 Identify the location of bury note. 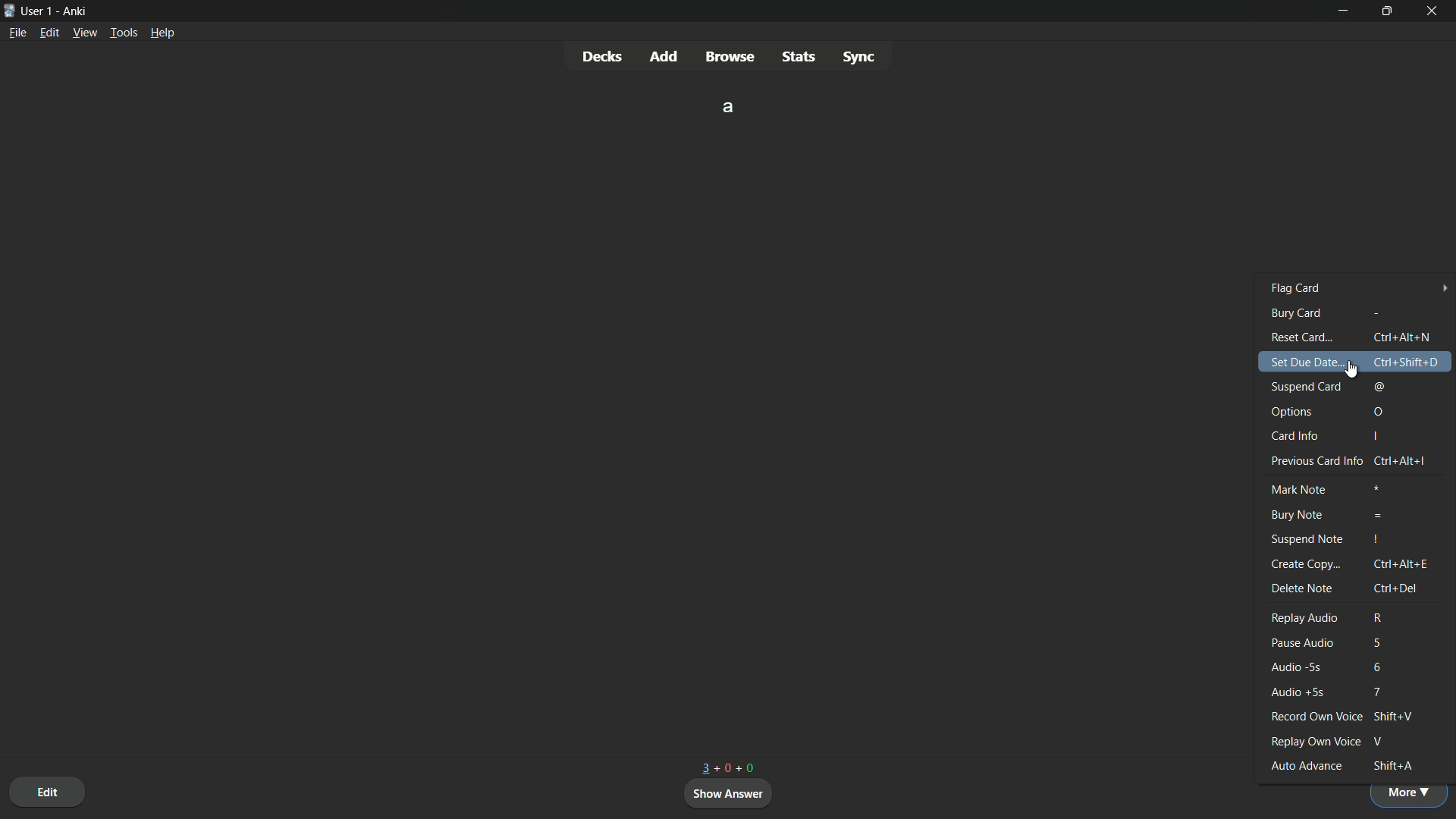
(1297, 515).